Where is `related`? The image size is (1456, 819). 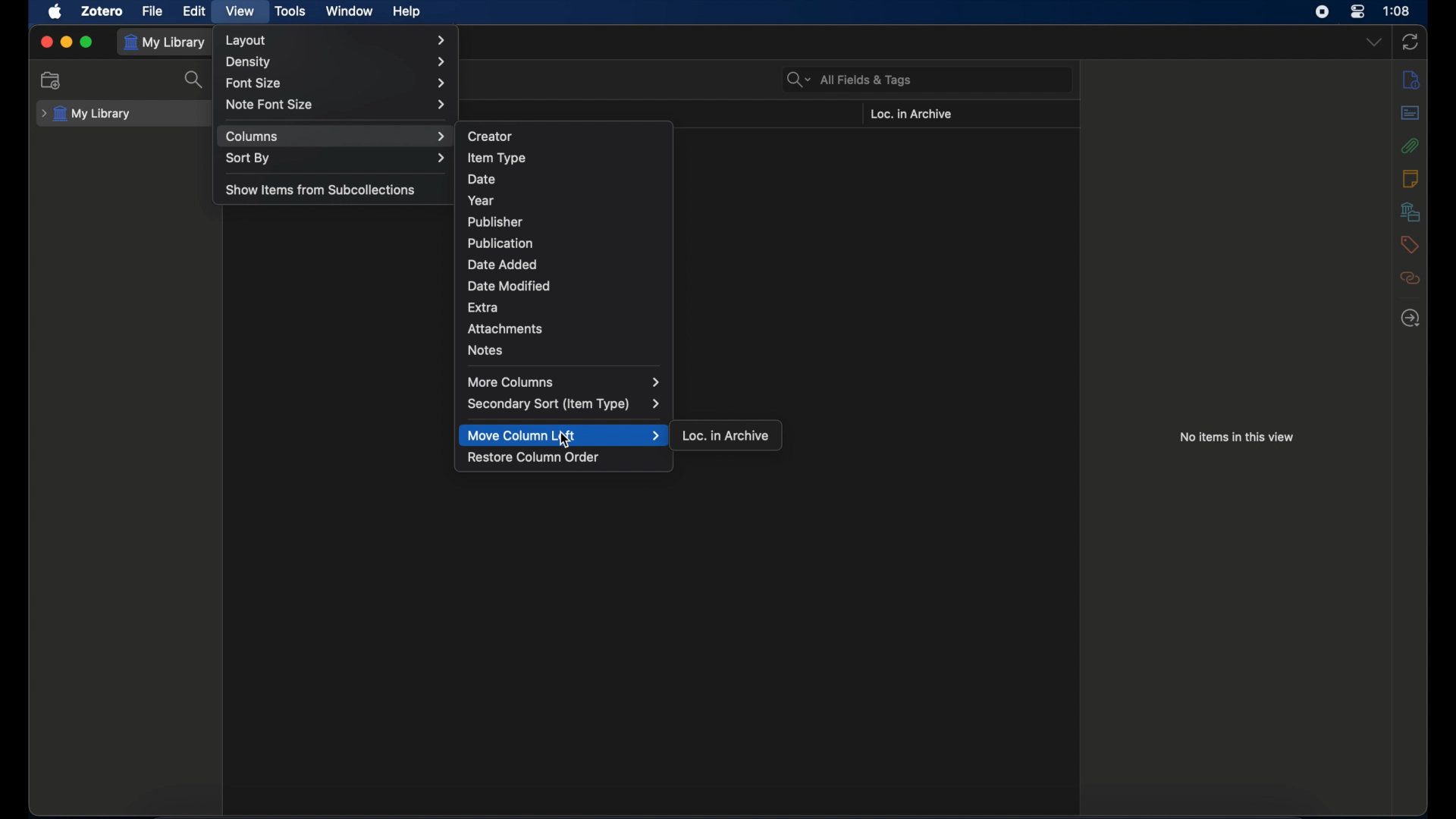 related is located at coordinates (1411, 278).